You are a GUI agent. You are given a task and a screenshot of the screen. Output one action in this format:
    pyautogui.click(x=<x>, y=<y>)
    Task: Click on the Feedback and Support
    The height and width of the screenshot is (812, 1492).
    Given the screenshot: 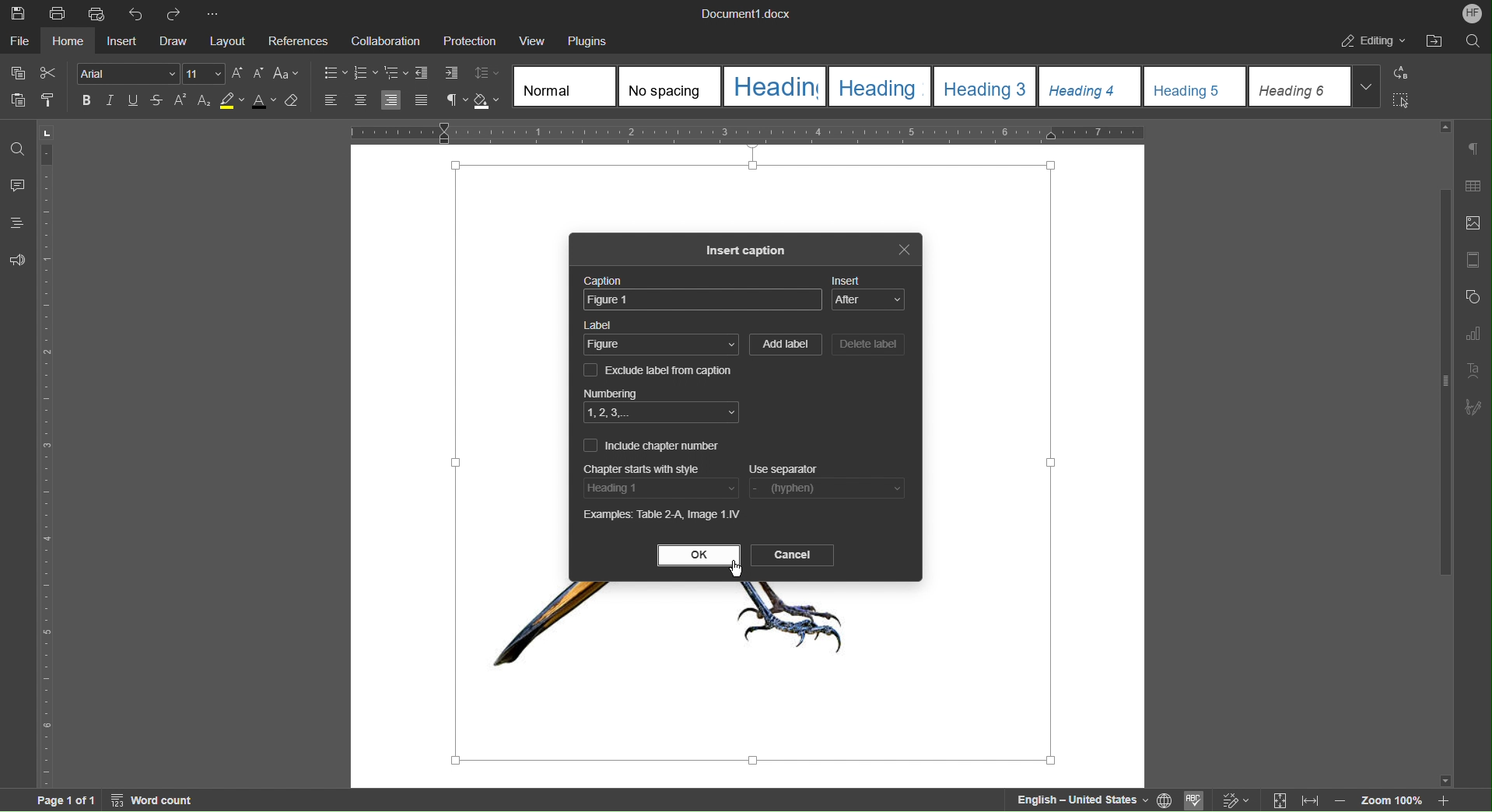 What is the action you would take?
    pyautogui.click(x=17, y=259)
    